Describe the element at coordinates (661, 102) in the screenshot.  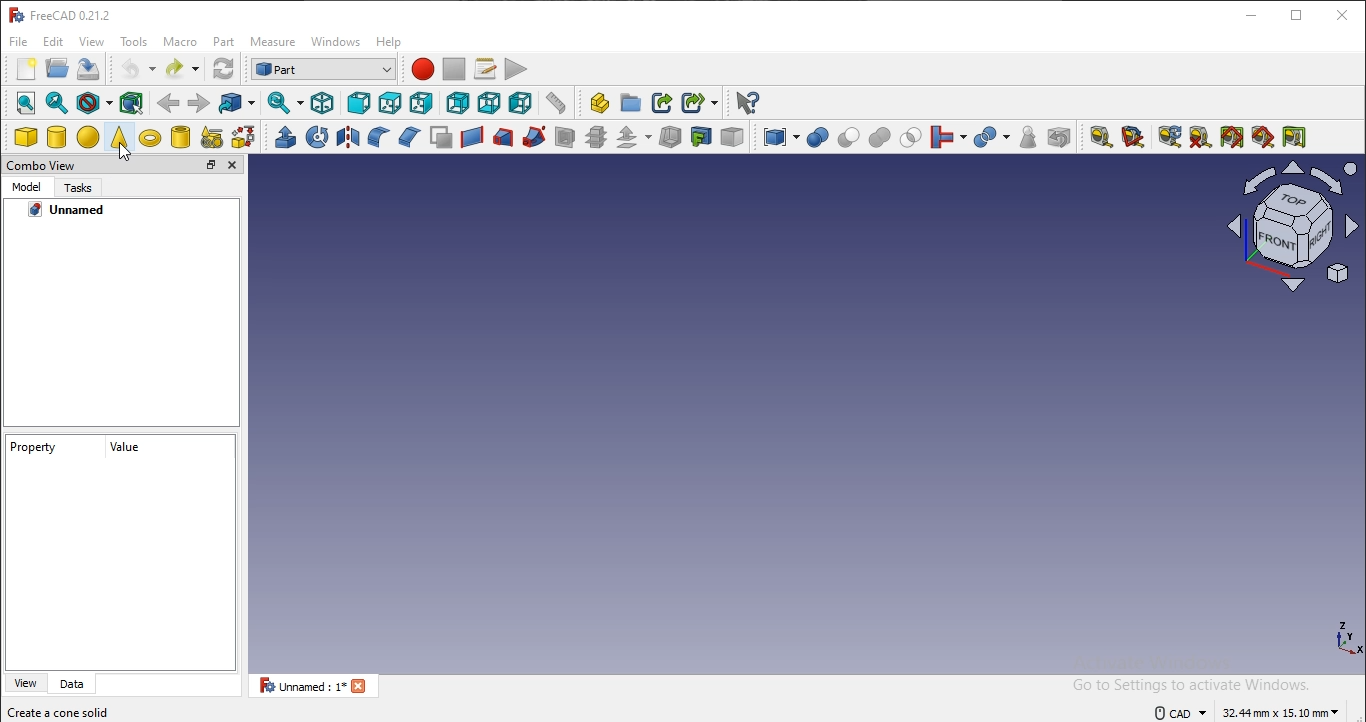
I see `create link` at that location.